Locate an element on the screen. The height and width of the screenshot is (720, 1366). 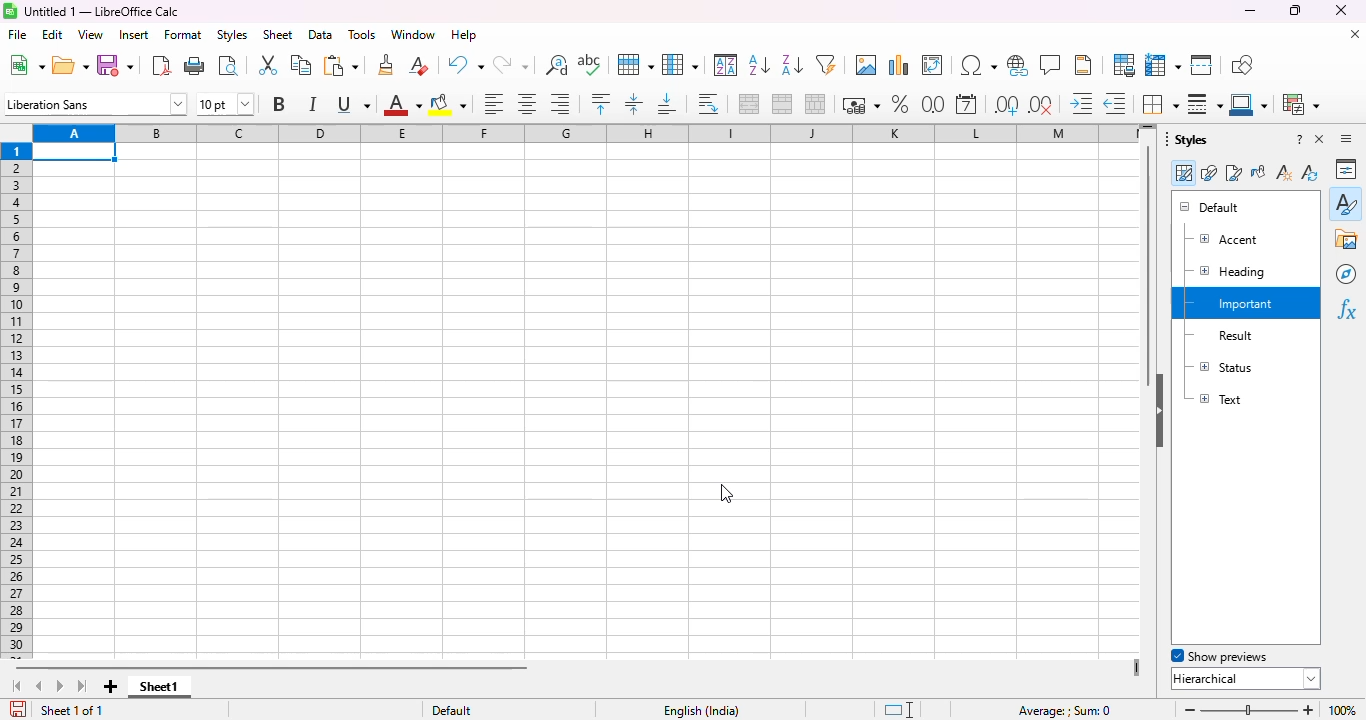
sheet 1 of 1 is located at coordinates (73, 710).